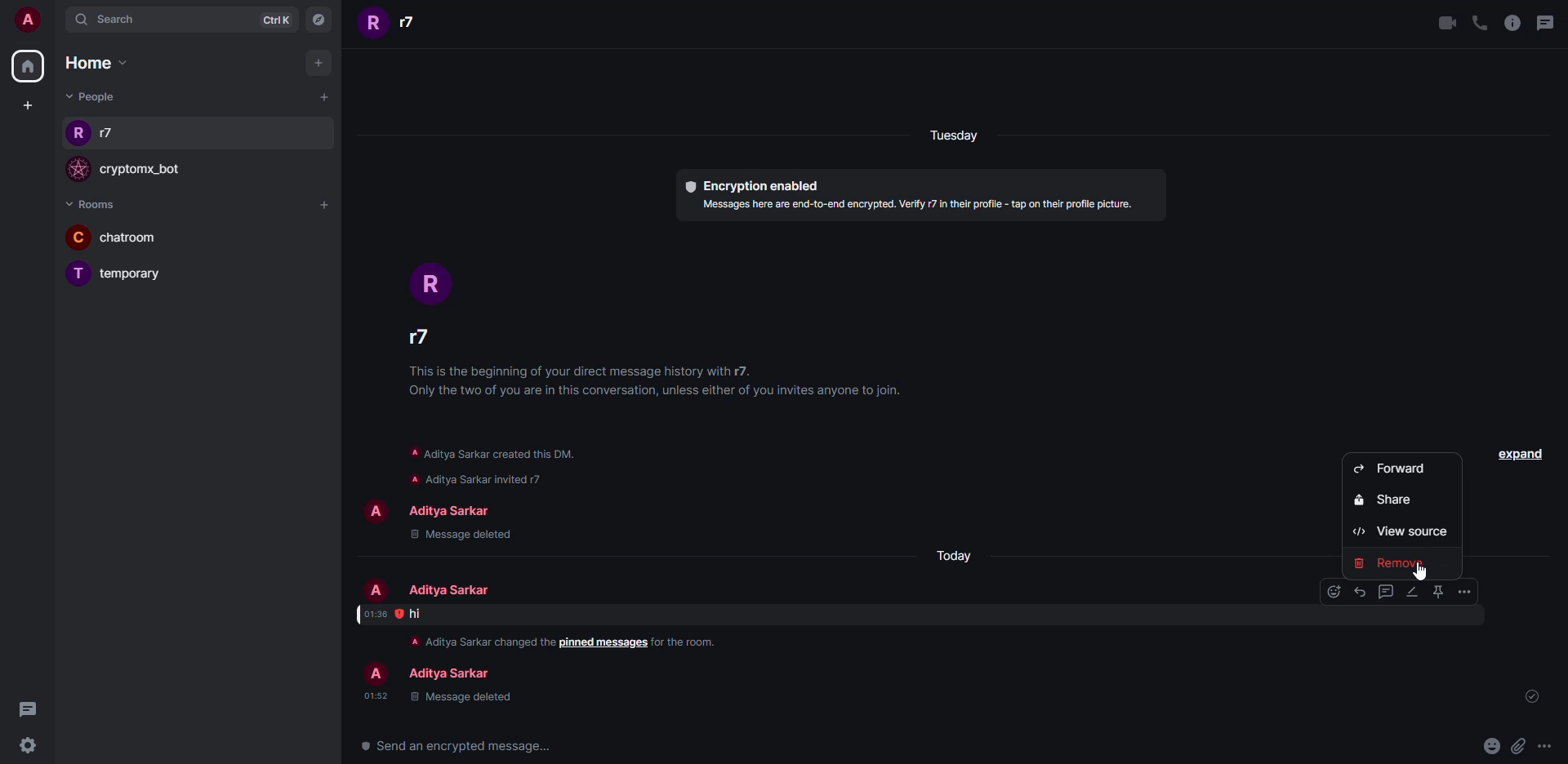 Image resolution: width=1568 pixels, height=764 pixels. I want to click on people, so click(448, 675).